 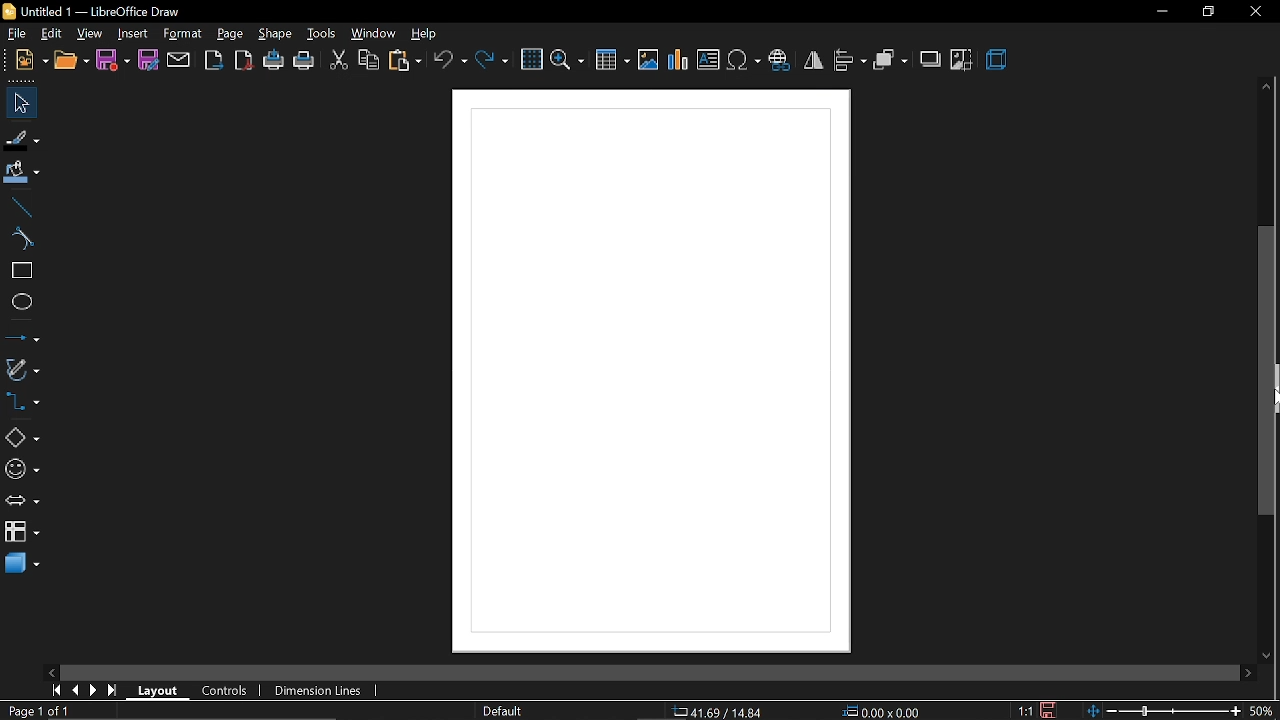 What do you see at coordinates (19, 205) in the screenshot?
I see `line` at bounding box center [19, 205].